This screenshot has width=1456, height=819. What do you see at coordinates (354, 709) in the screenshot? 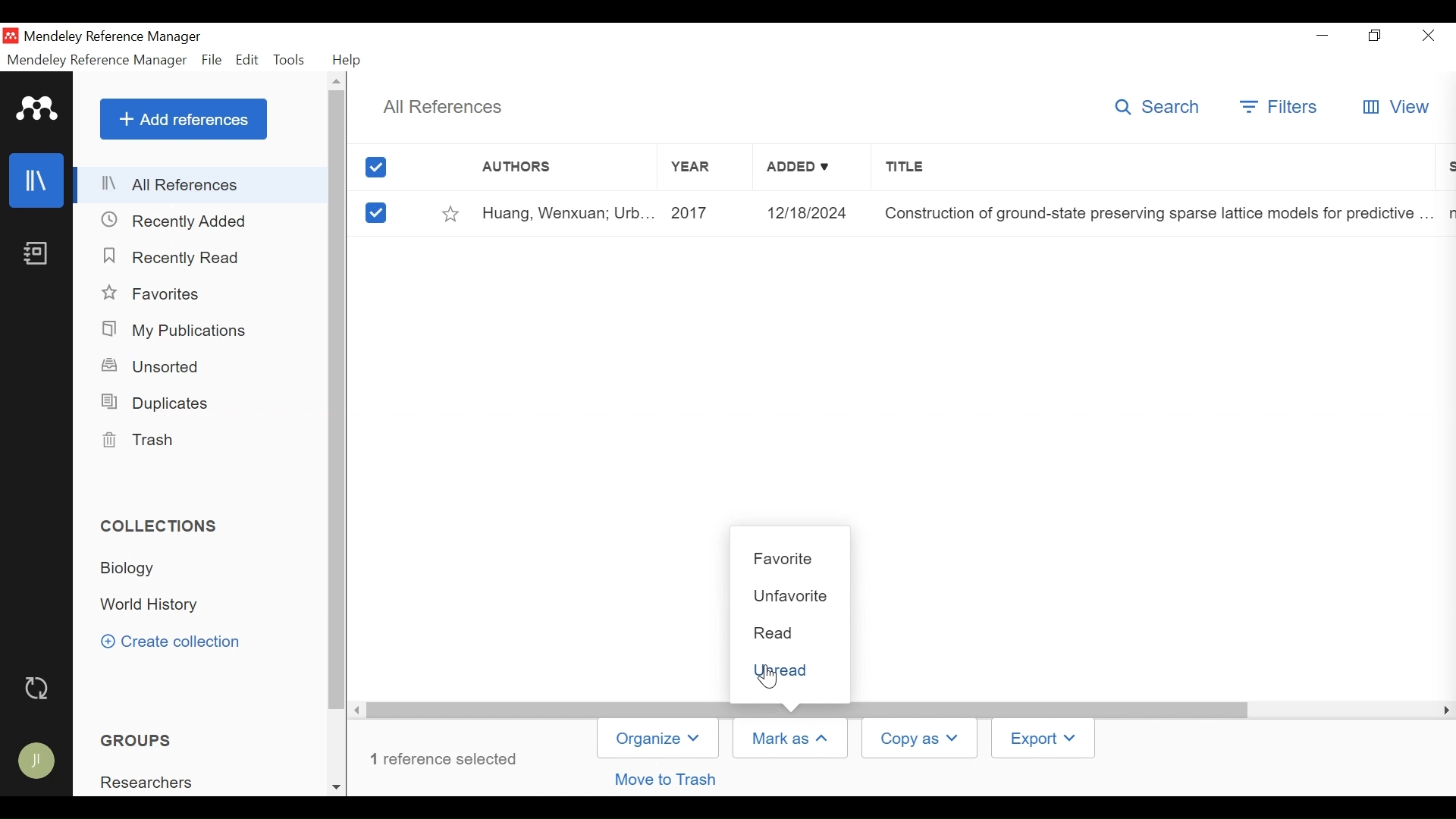
I see `Scroll Right` at bounding box center [354, 709].